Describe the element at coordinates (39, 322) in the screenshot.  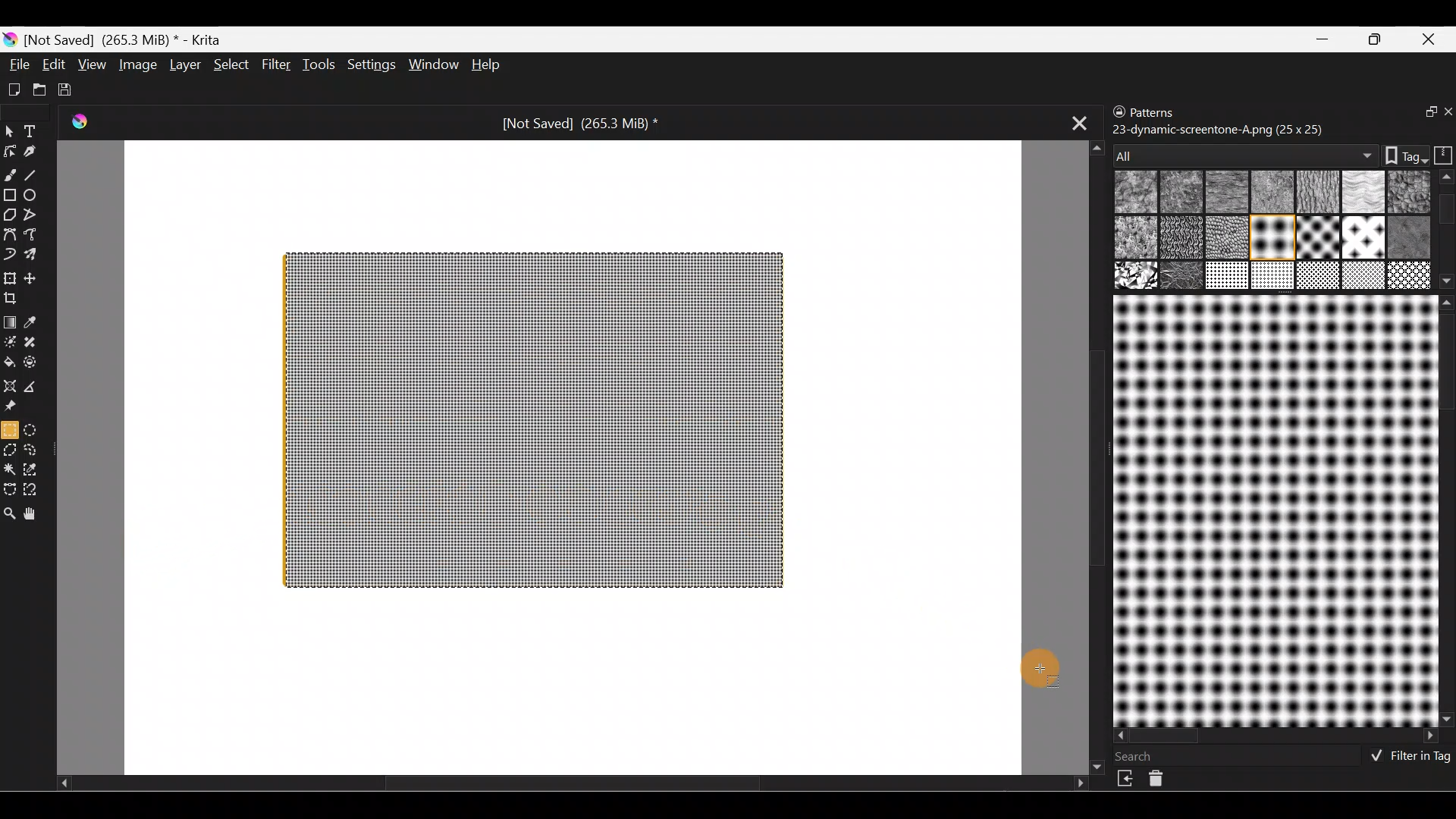
I see `Sample a colour` at that location.